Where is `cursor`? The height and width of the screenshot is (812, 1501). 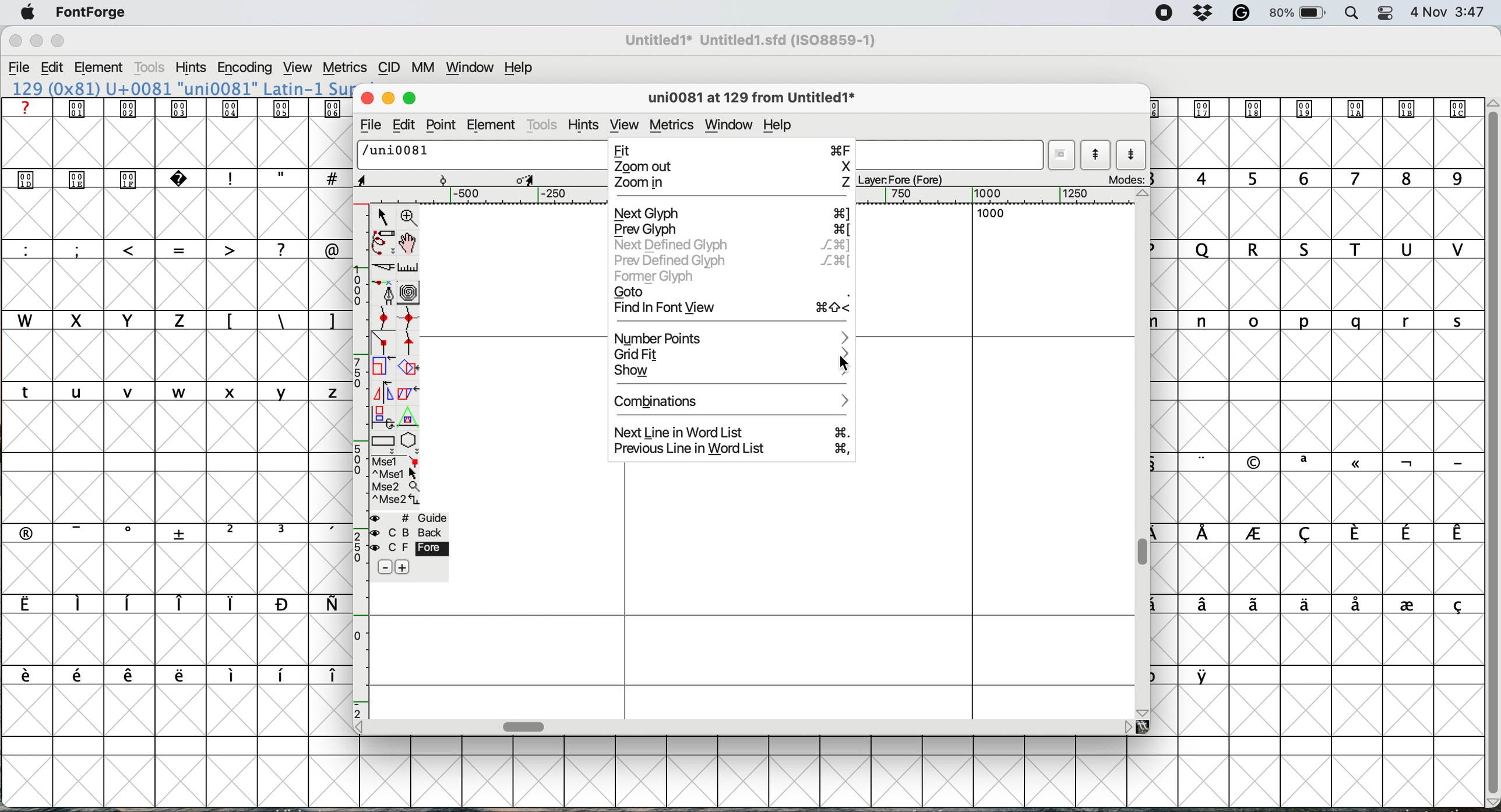 cursor is located at coordinates (848, 362).